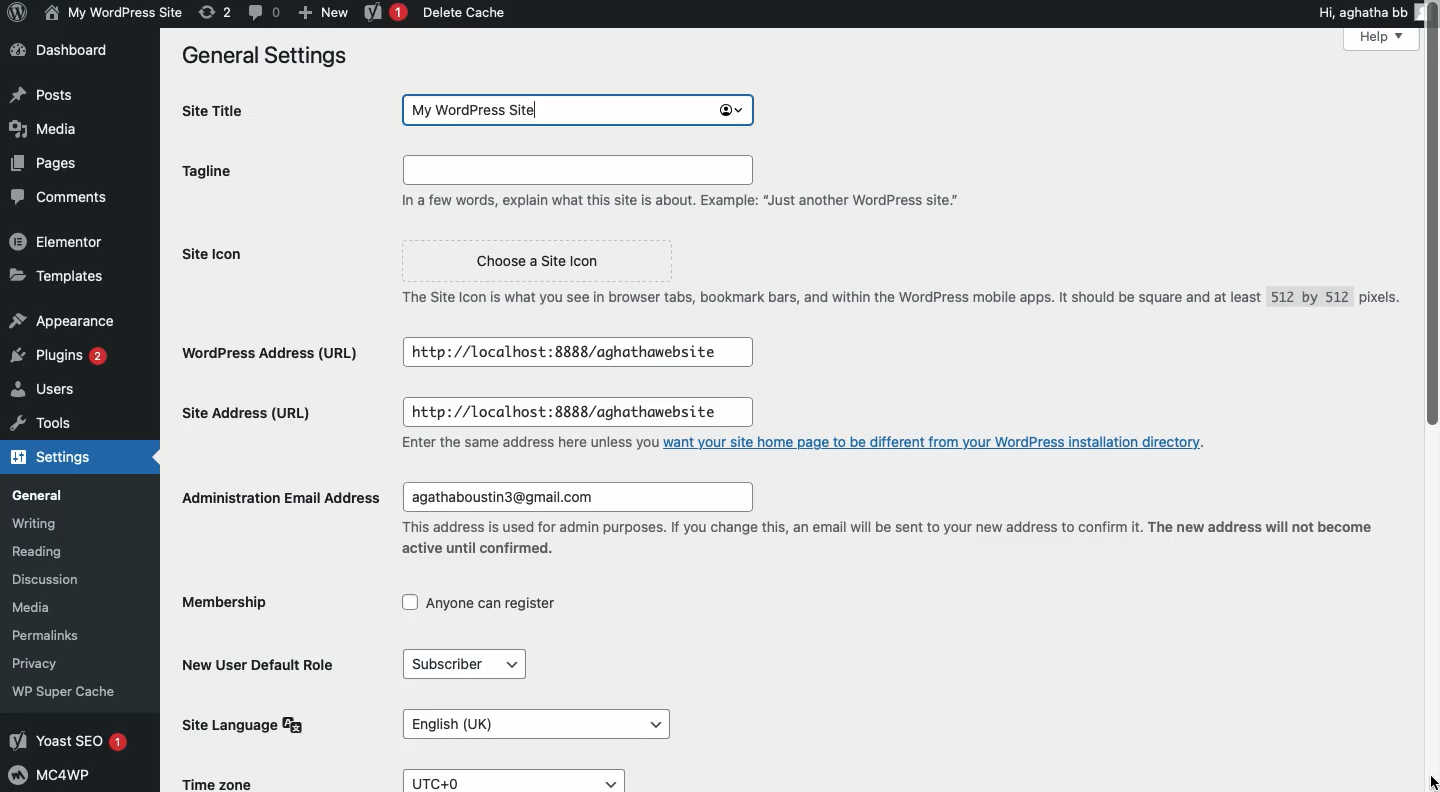 Image resolution: width=1440 pixels, height=792 pixels. Describe the element at coordinates (33, 525) in the screenshot. I see `Writing` at that location.